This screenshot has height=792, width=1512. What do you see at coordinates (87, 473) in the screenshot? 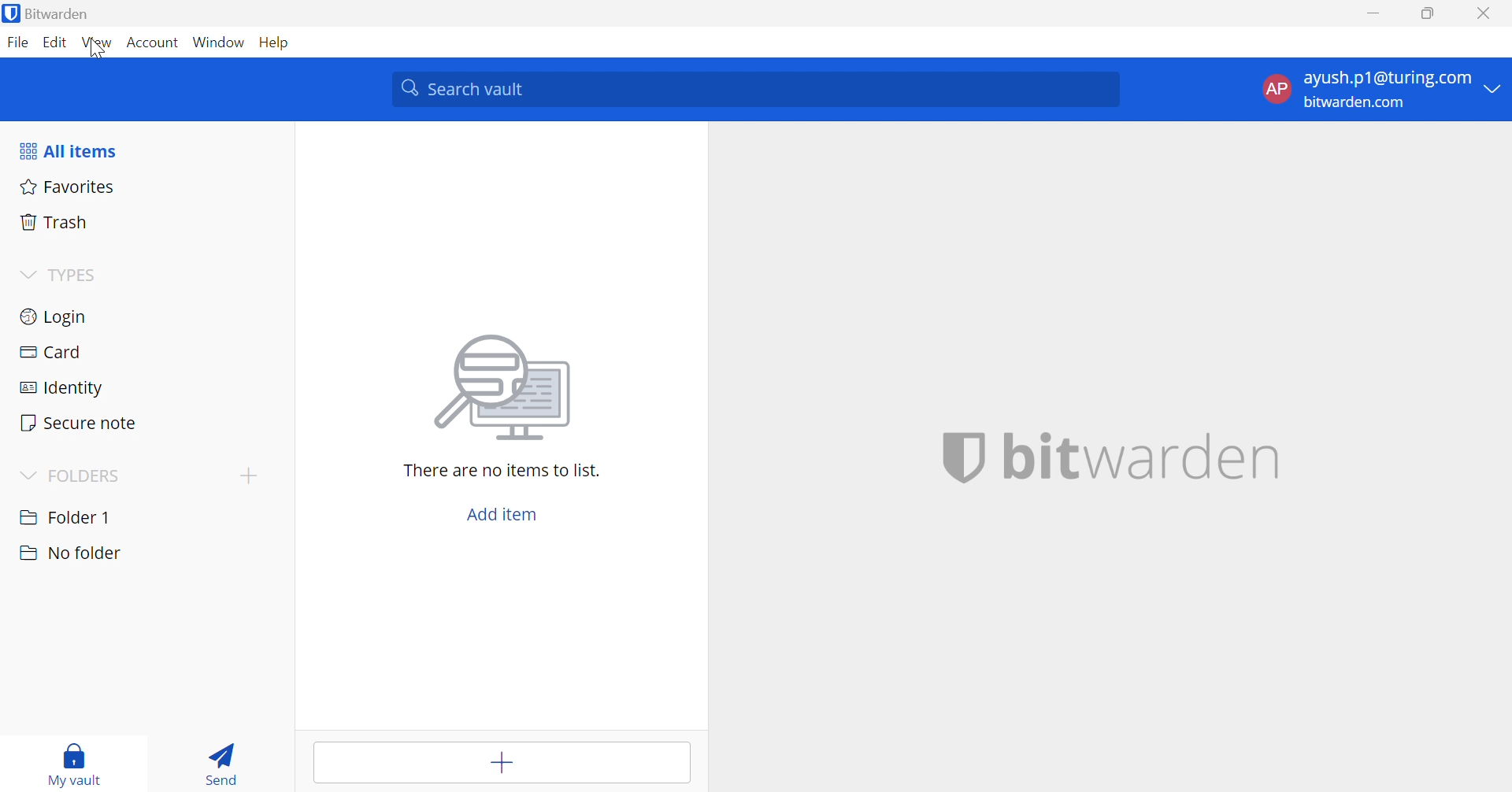
I see `FOLDERS` at bounding box center [87, 473].